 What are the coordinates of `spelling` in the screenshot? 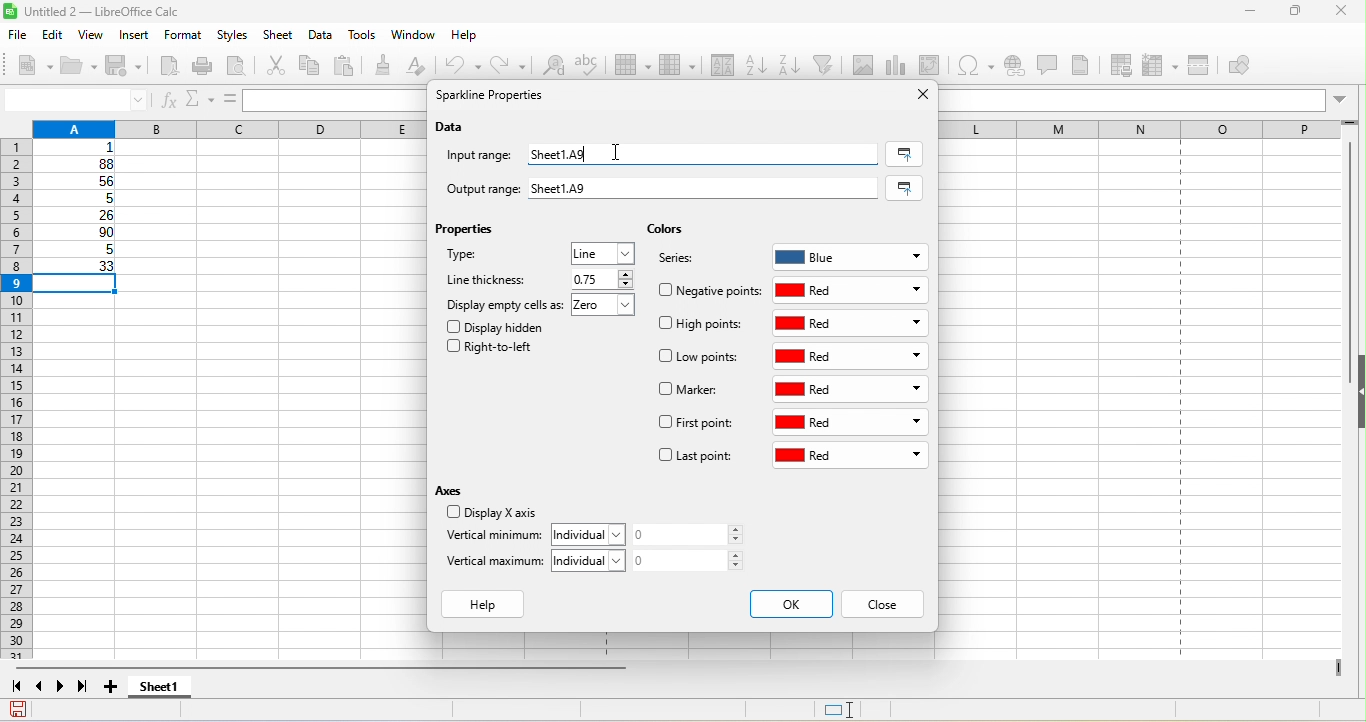 It's located at (593, 70).